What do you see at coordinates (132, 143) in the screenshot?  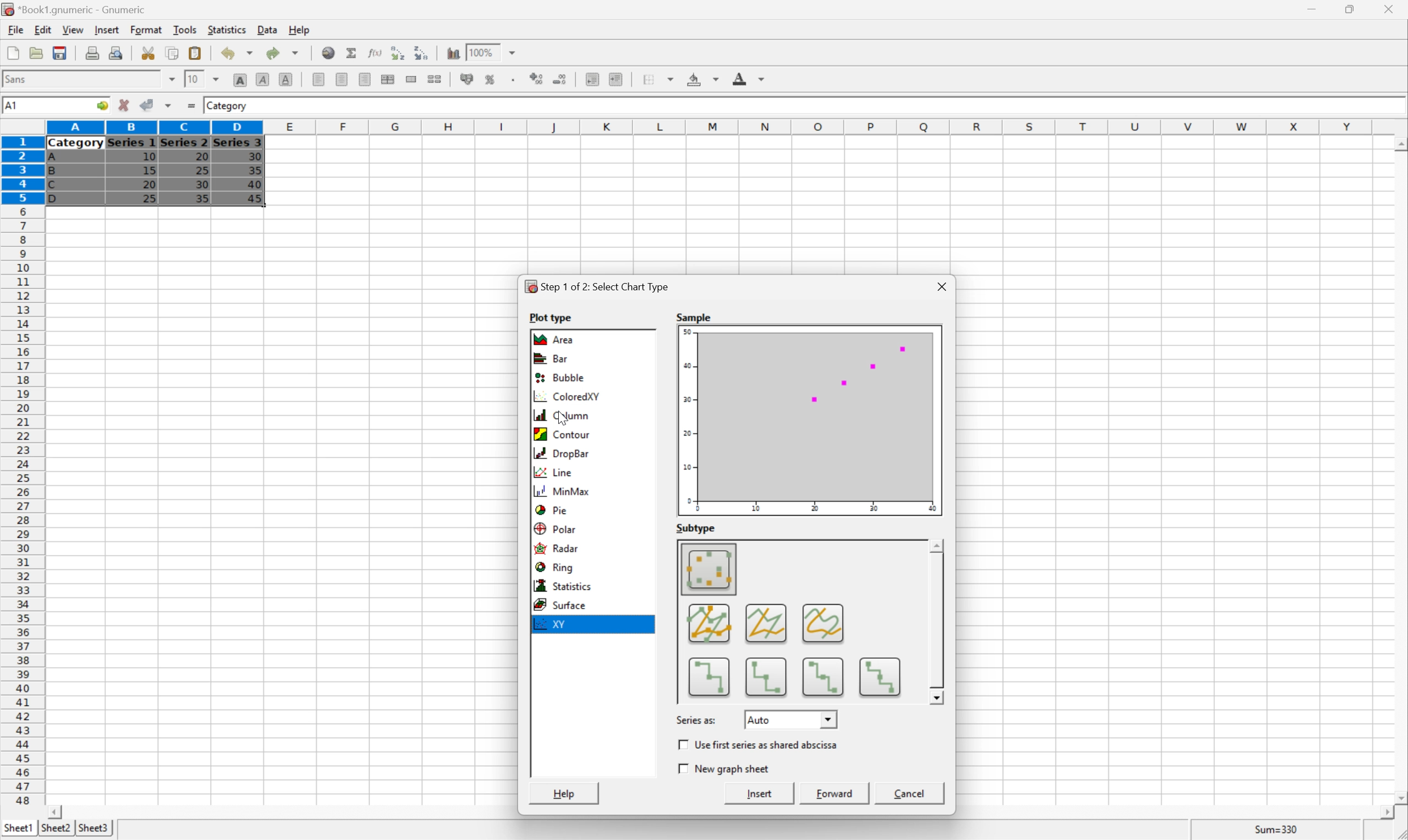 I see `Series 1` at bounding box center [132, 143].